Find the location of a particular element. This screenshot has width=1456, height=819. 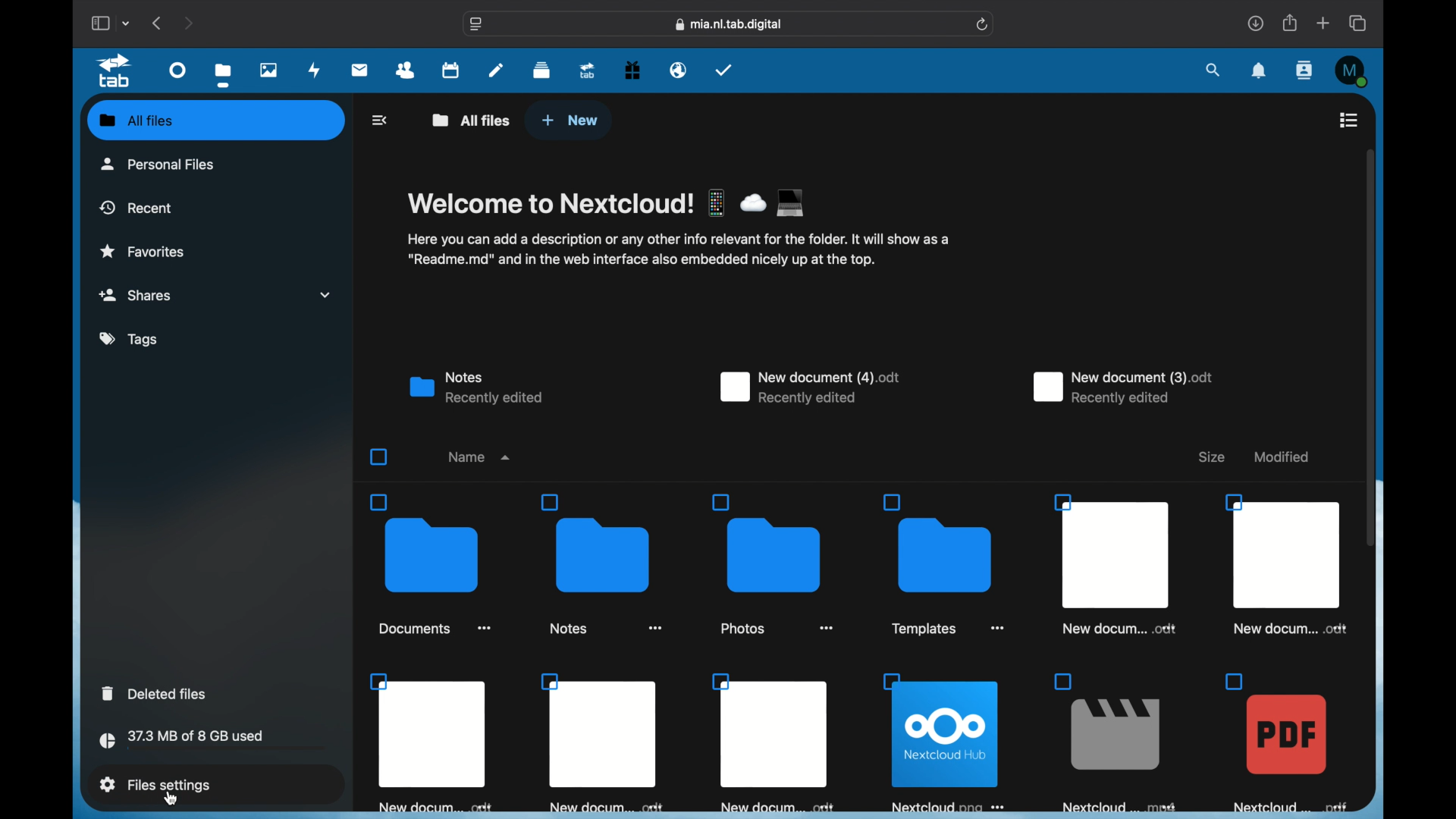

tab group picker is located at coordinates (127, 24).